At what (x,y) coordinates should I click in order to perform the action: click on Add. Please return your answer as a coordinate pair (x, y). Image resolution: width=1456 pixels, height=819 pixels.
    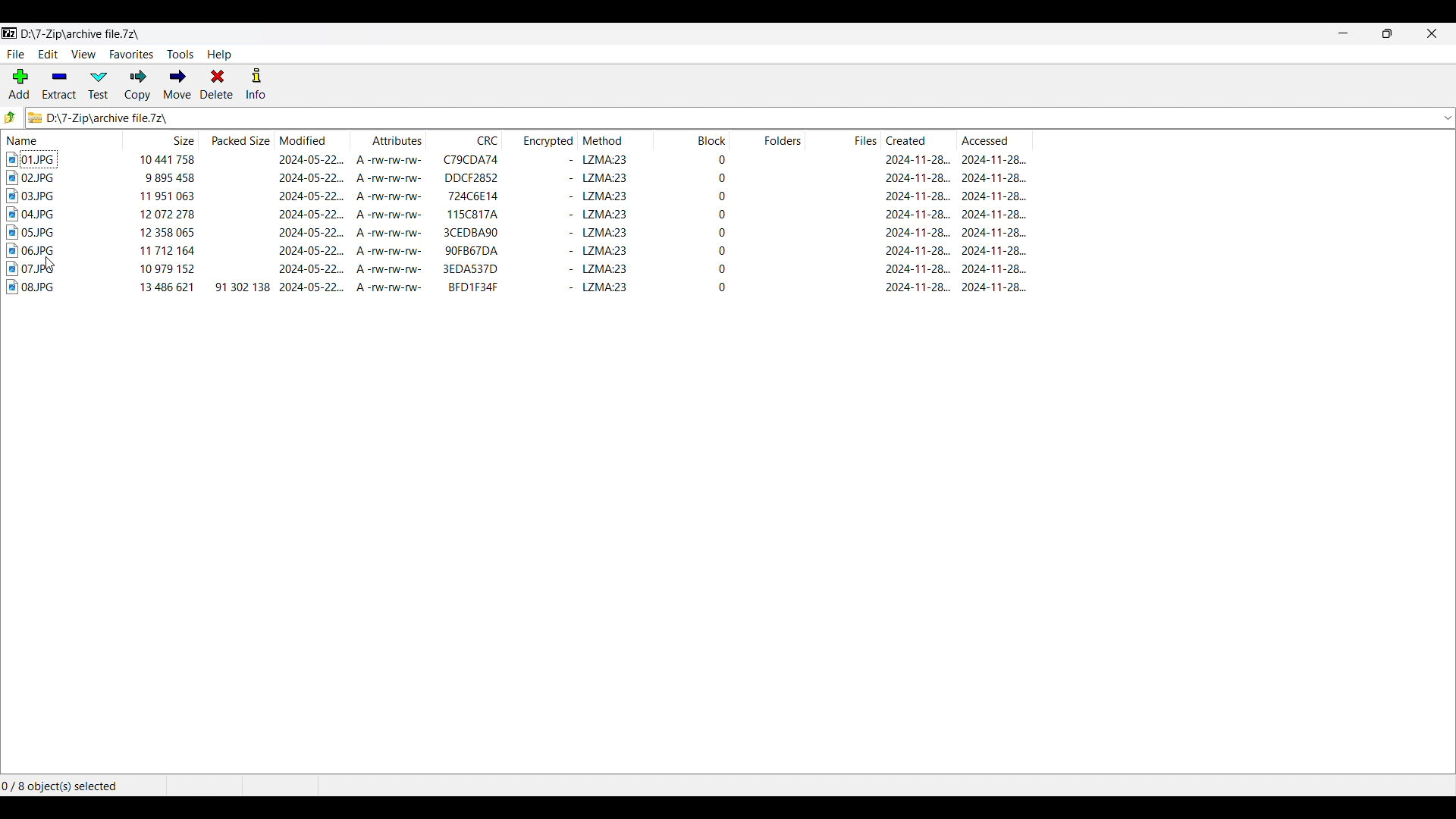
    Looking at the image, I should click on (19, 83).